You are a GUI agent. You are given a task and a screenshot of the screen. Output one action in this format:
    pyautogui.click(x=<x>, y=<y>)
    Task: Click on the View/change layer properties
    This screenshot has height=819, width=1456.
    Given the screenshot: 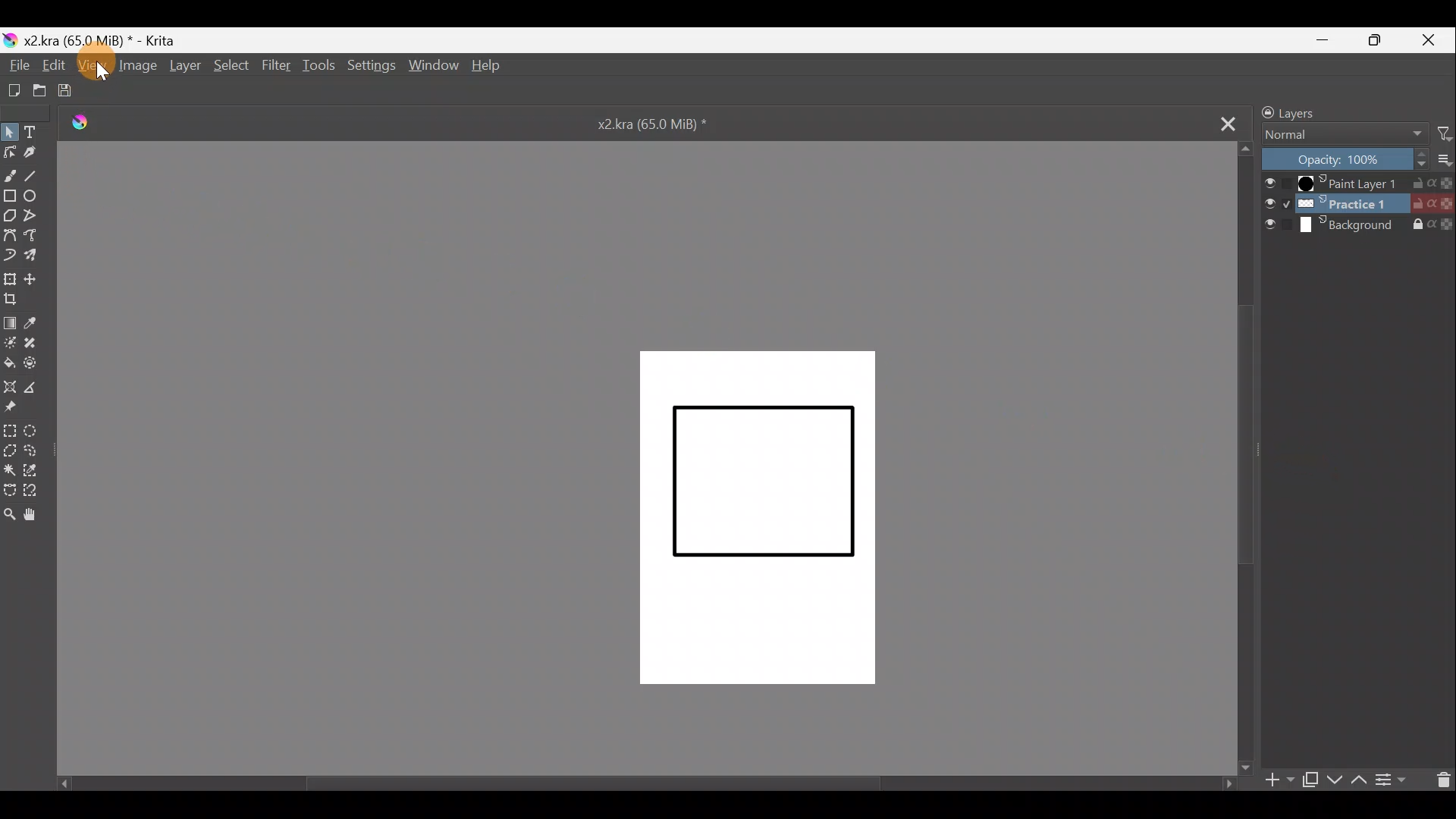 What is the action you would take?
    pyautogui.click(x=1392, y=777)
    